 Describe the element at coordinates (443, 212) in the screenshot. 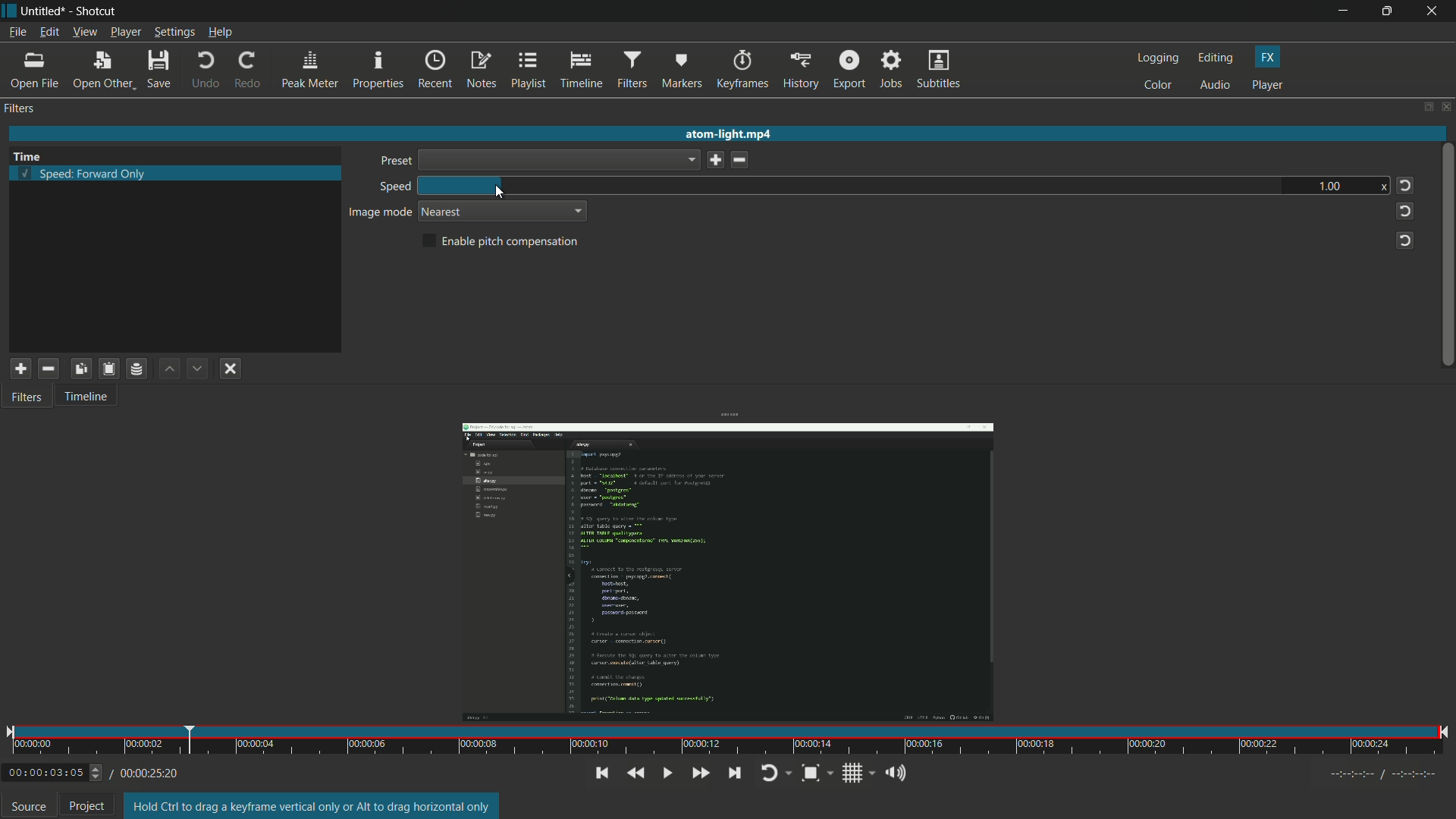

I see `nearest` at that location.